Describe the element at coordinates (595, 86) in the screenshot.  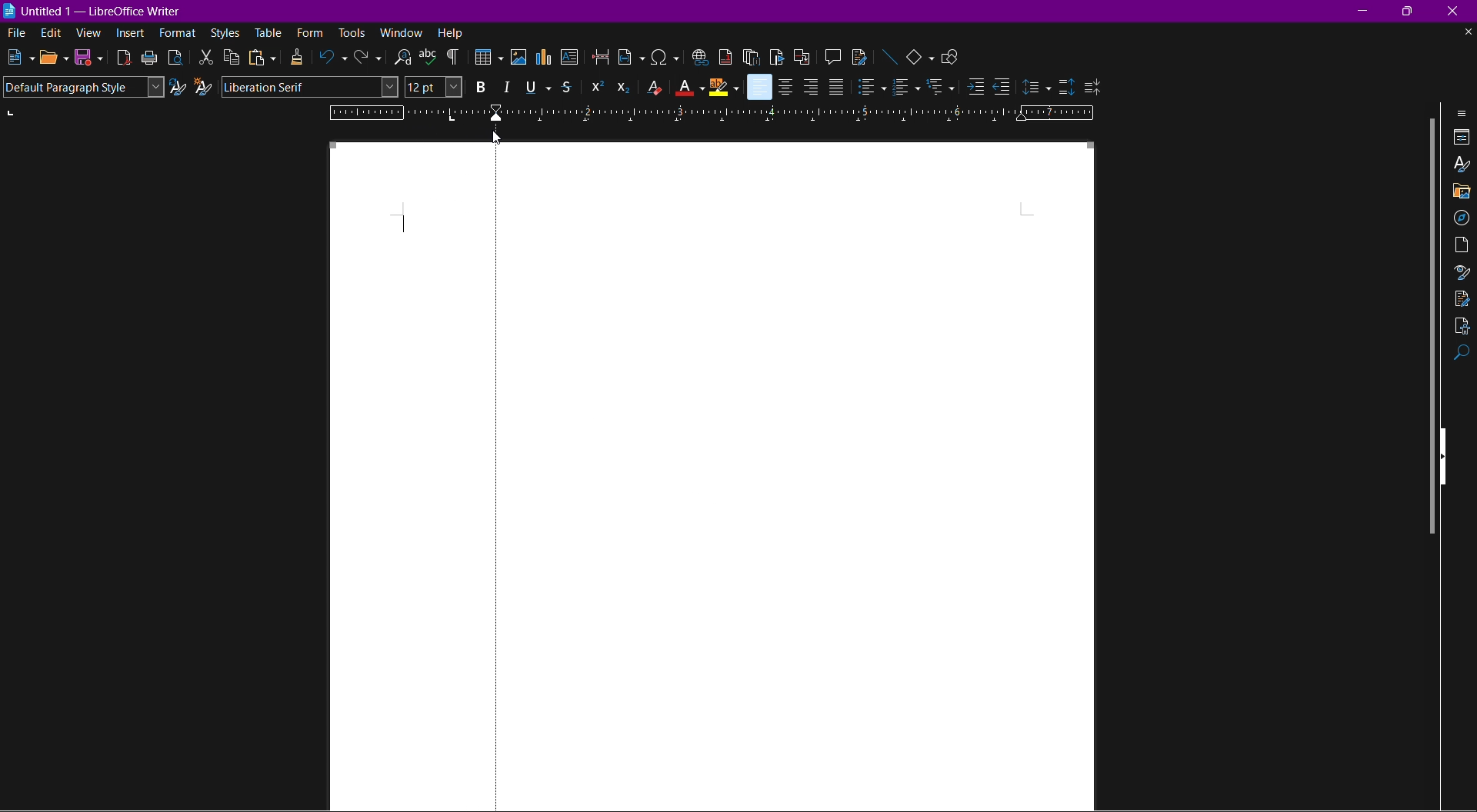
I see `Superscript` at that location.